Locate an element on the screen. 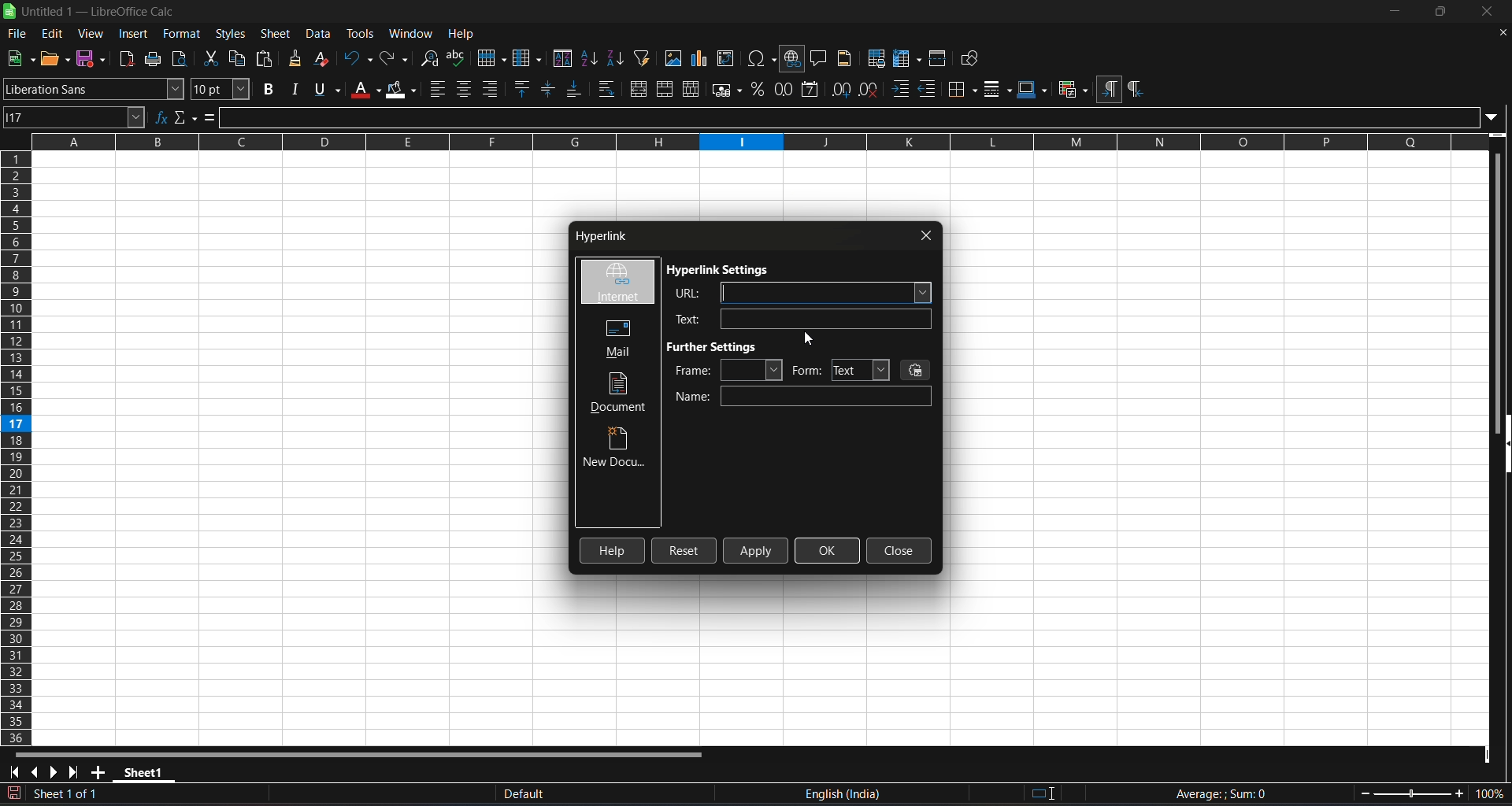  scroll to next sheet  is located at coordinates (53, 773).